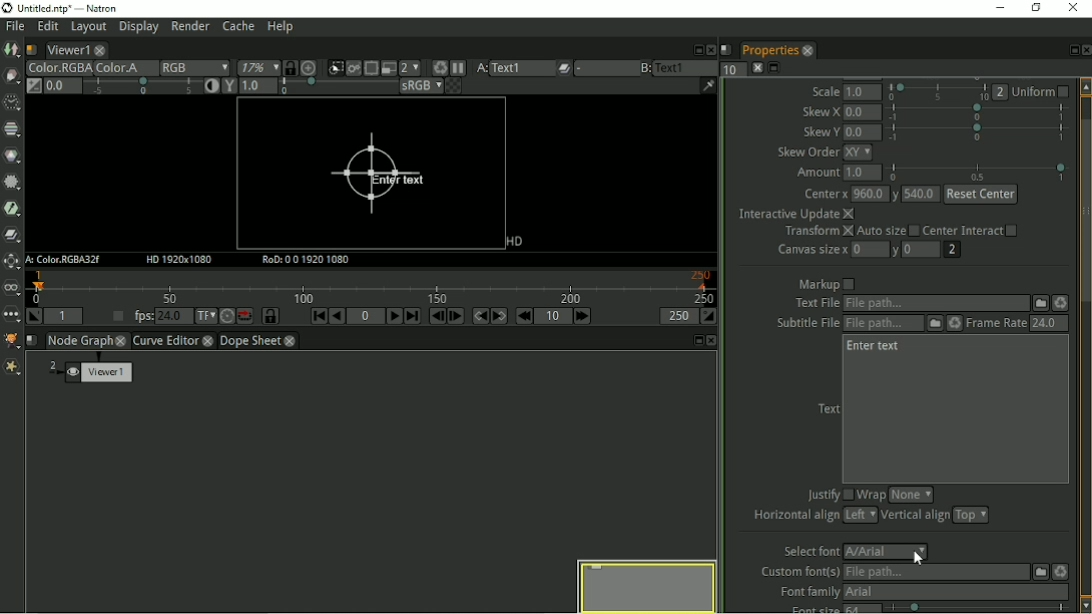 The height and width of the screenshot is (614, 1092). What do you see at coordinates (1003, 8) in the screenshot?
I see `Minimize` at bounding box center [1003, 8].